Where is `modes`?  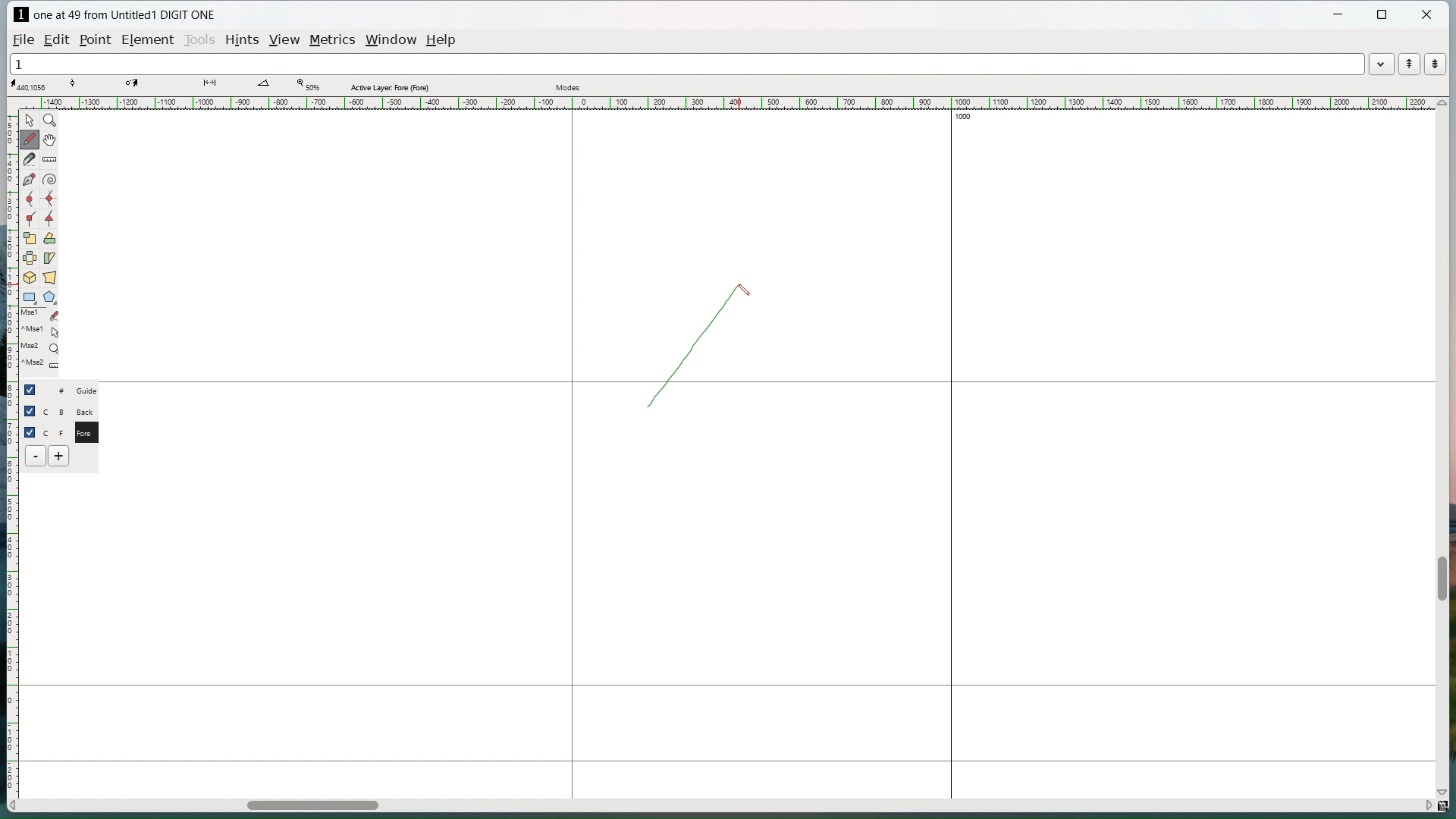
modes is located at coordinates (570, 87).